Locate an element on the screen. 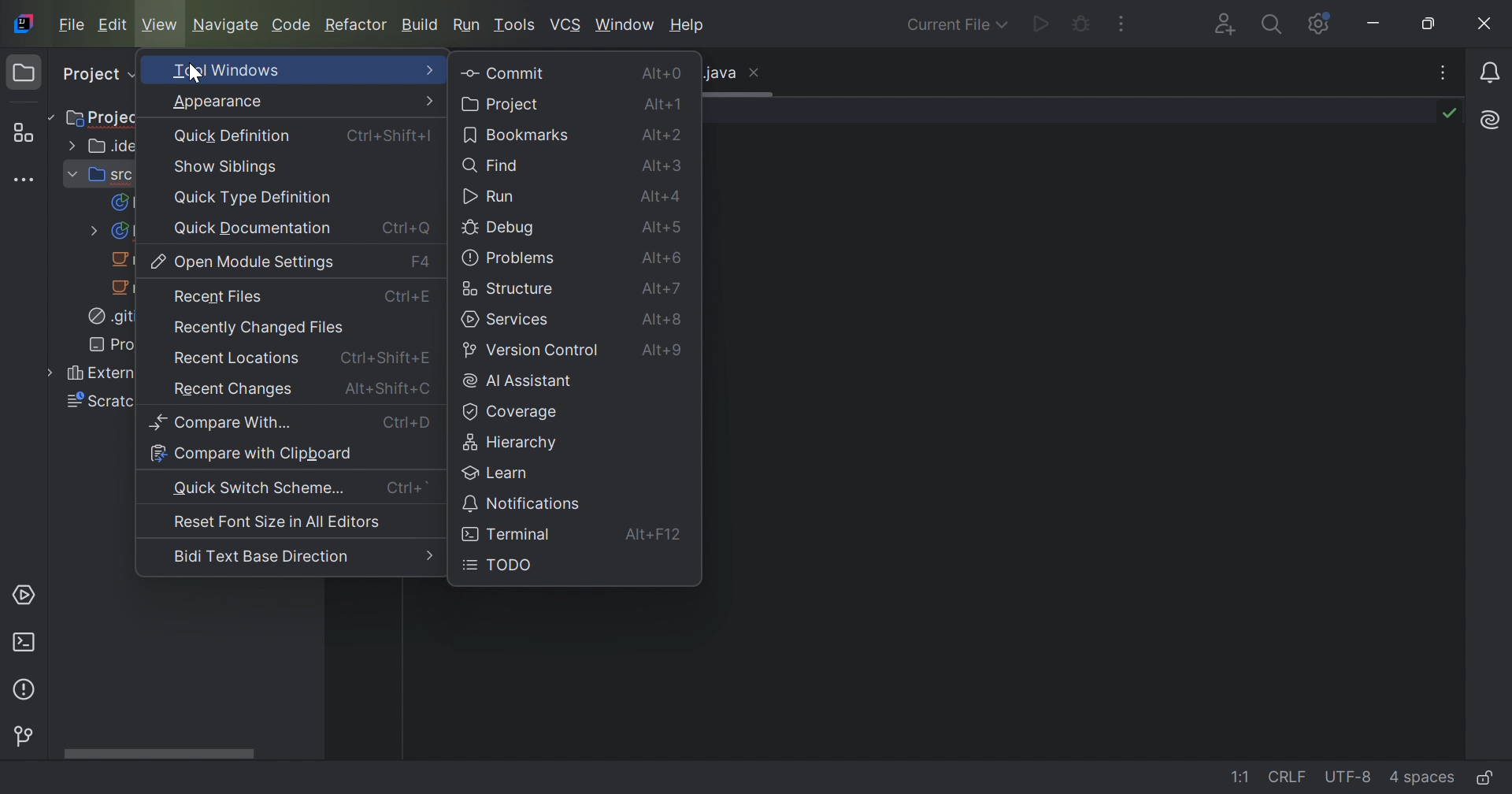 This screenshot has height=794, width=1512. More actions is located at coordinates (1122, 23).